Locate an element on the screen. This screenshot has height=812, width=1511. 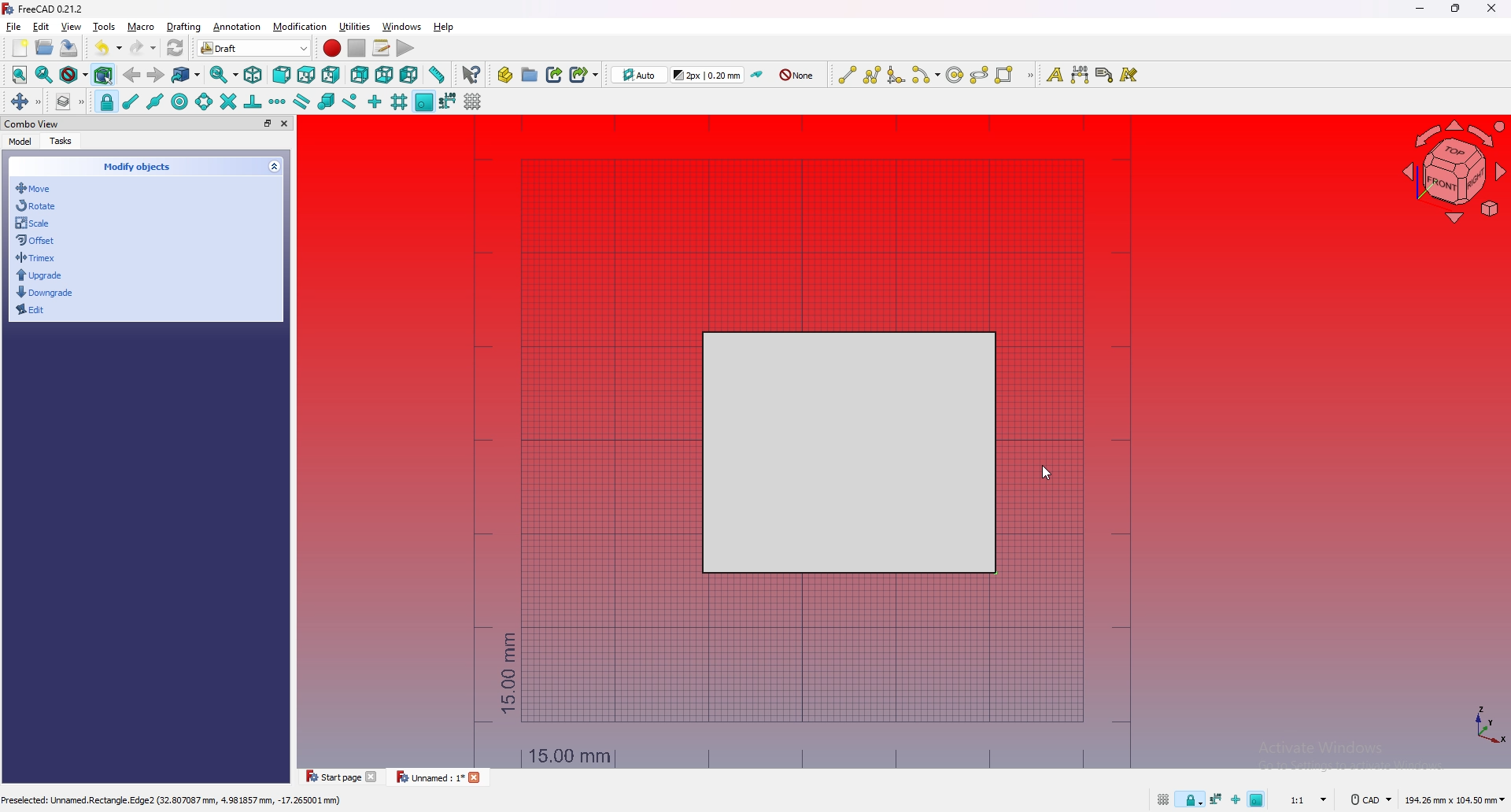
file is located at coordinates (14, 27).